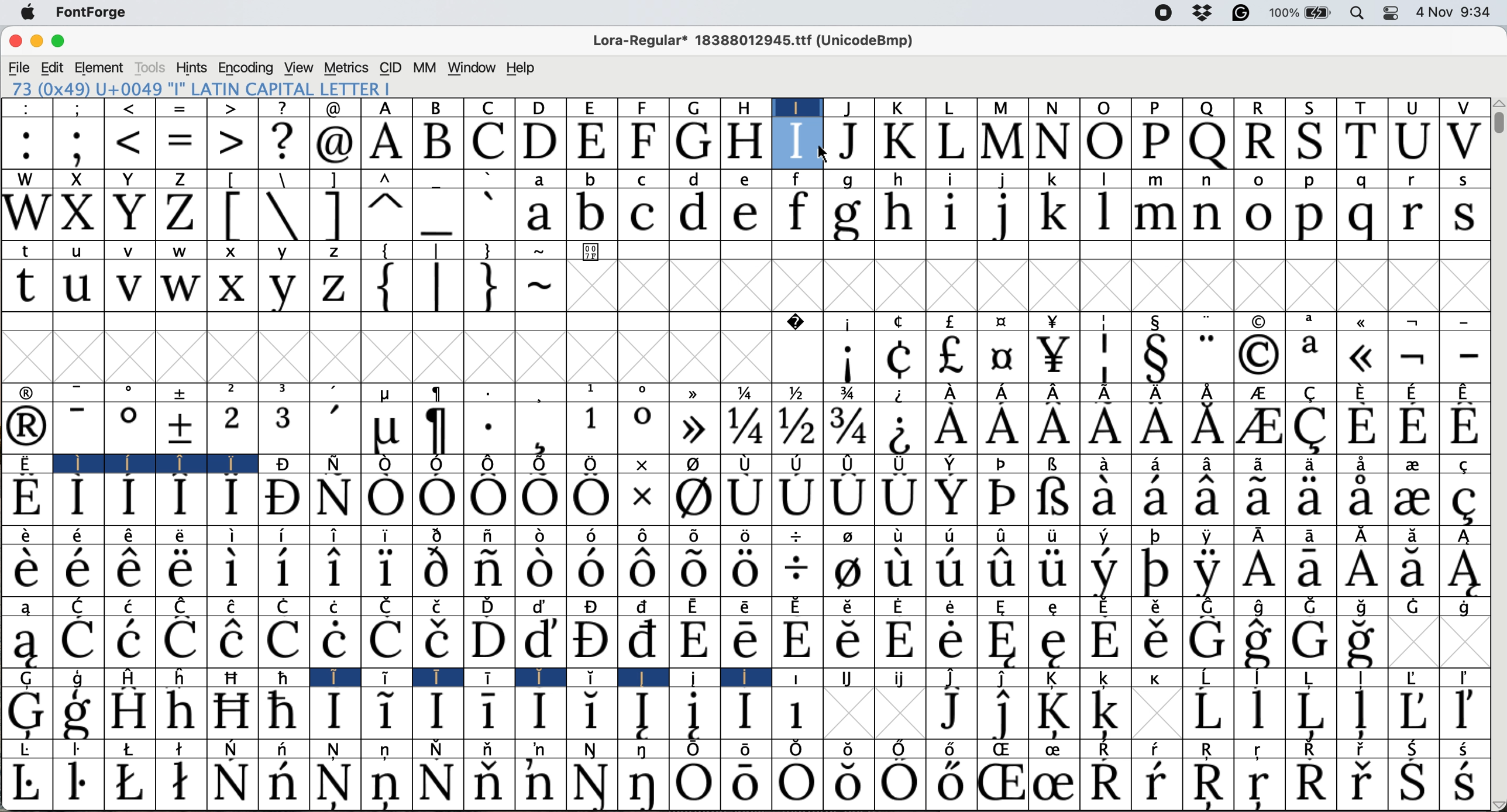  Describe the element at coordinates (1363, 390) in the screenshot. I see `Symbol` at that location.